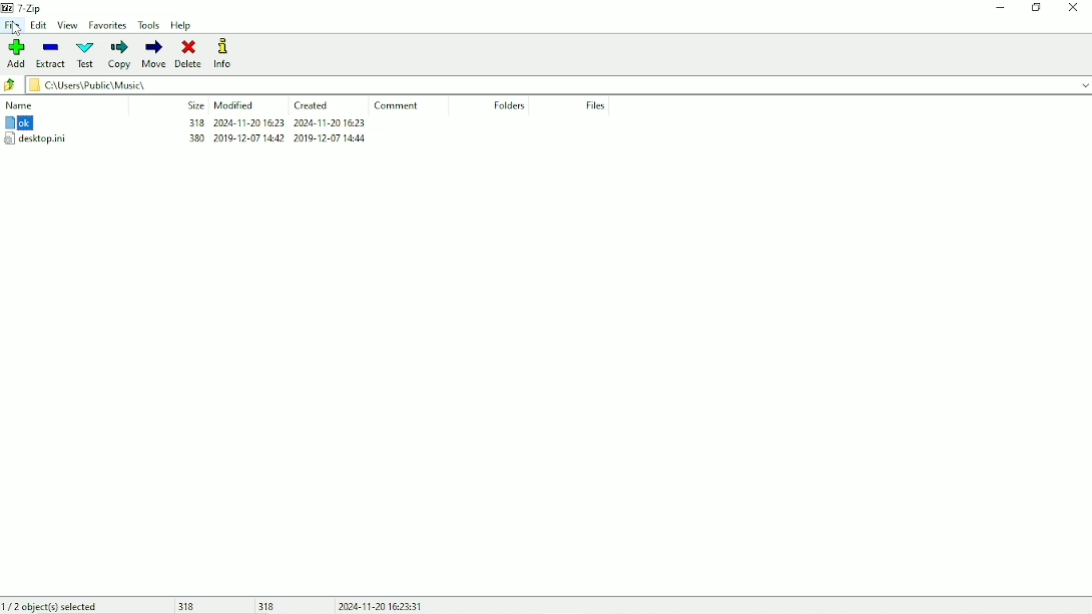  I want to click on Back, so click(10, 84).